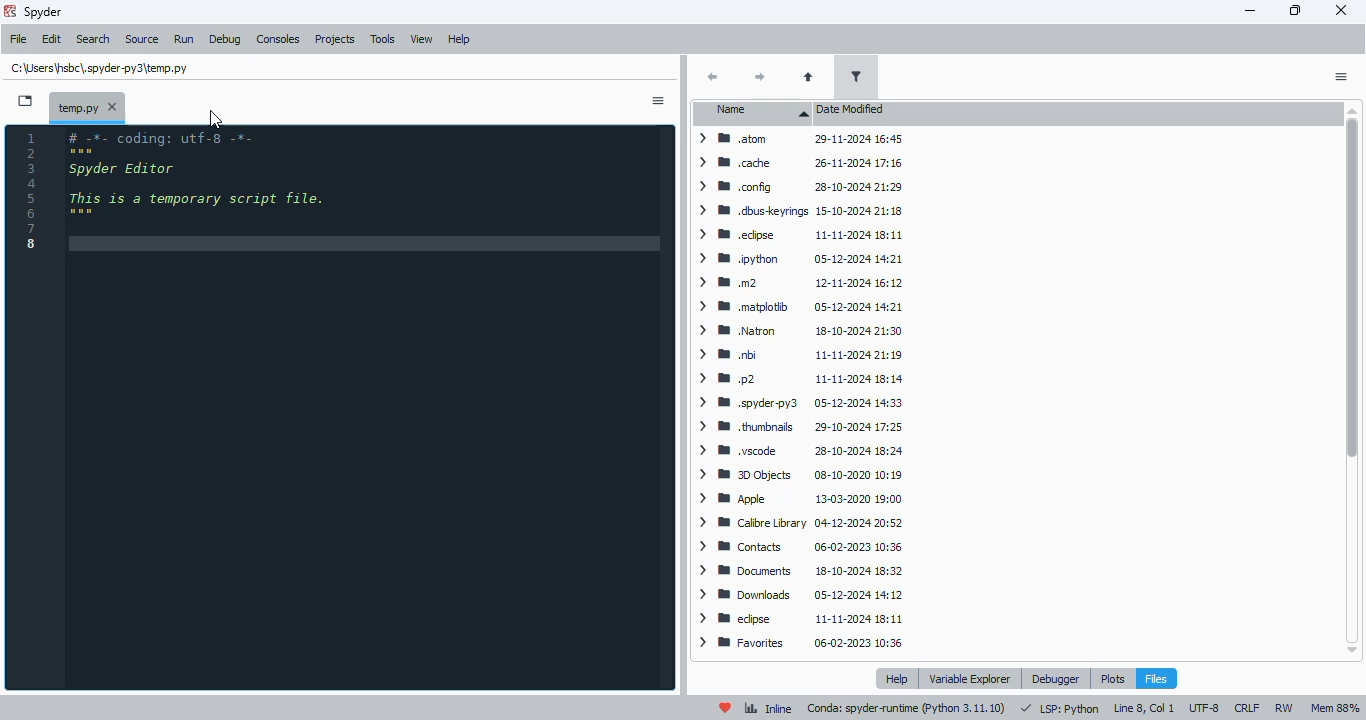 Image resolution: width=1366 pixels, height=720 pixels. I want to click on projects, so click(336, 40).